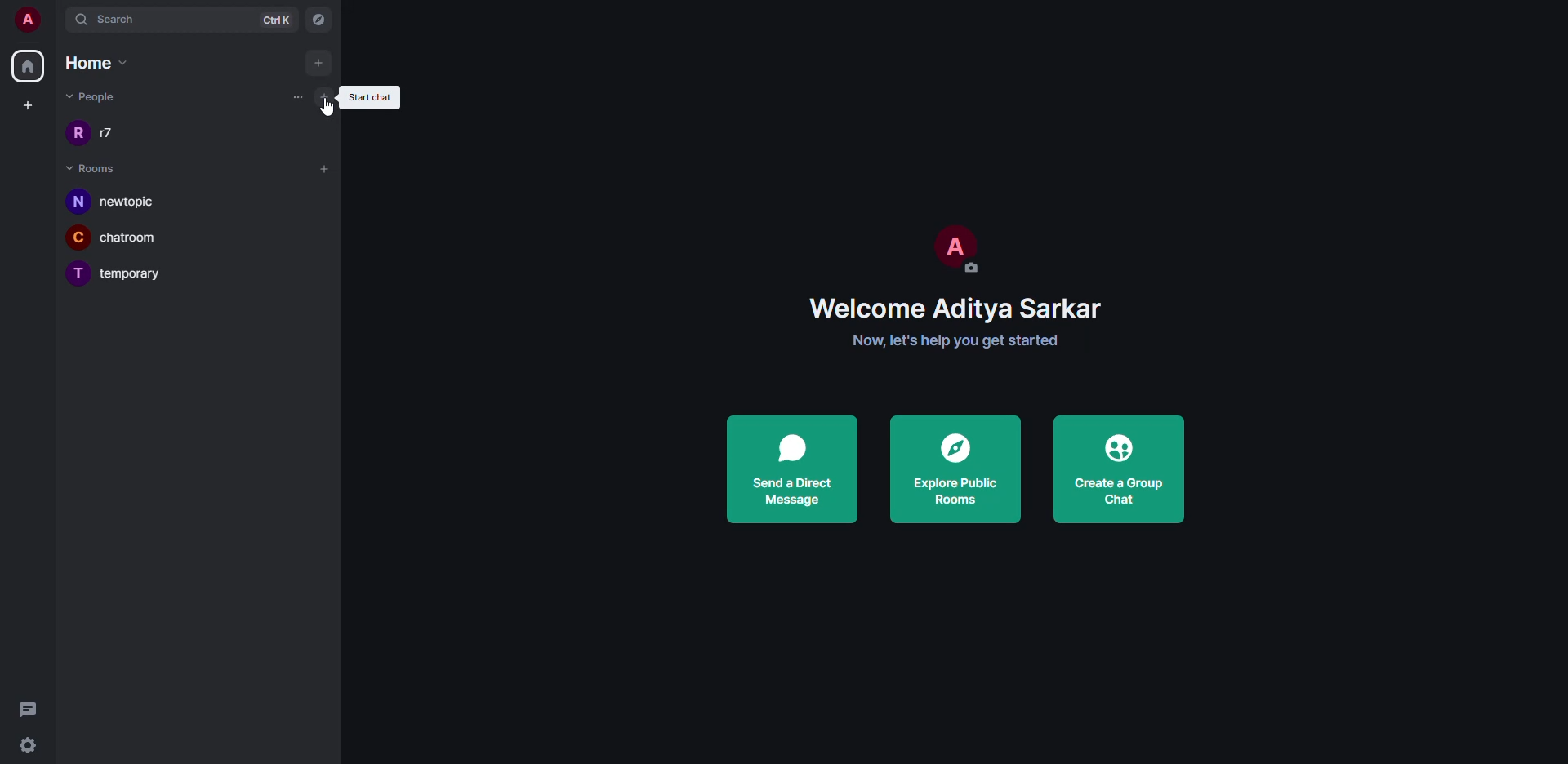 This screenshot has height=764, width=1568. I want to click on add, so click(318, 61).